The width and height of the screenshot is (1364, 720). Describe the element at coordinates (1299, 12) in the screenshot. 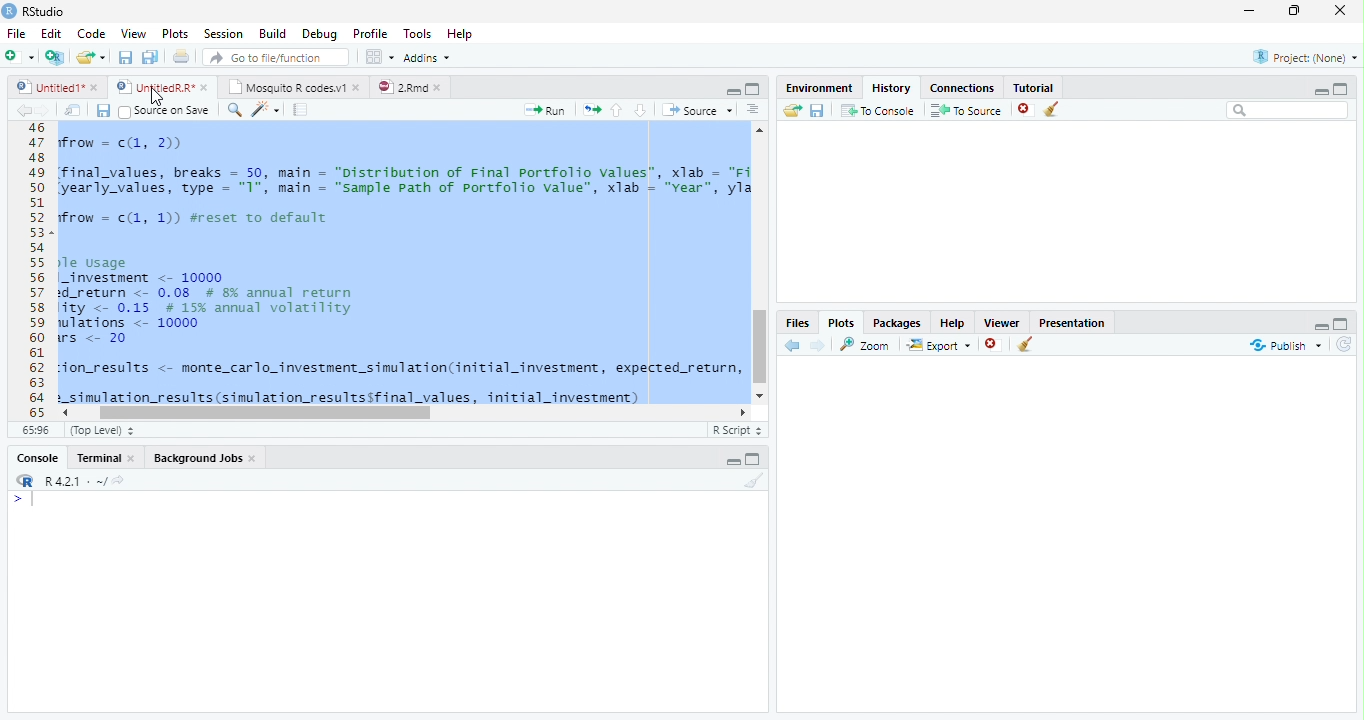

I see `Maximize` at that location.